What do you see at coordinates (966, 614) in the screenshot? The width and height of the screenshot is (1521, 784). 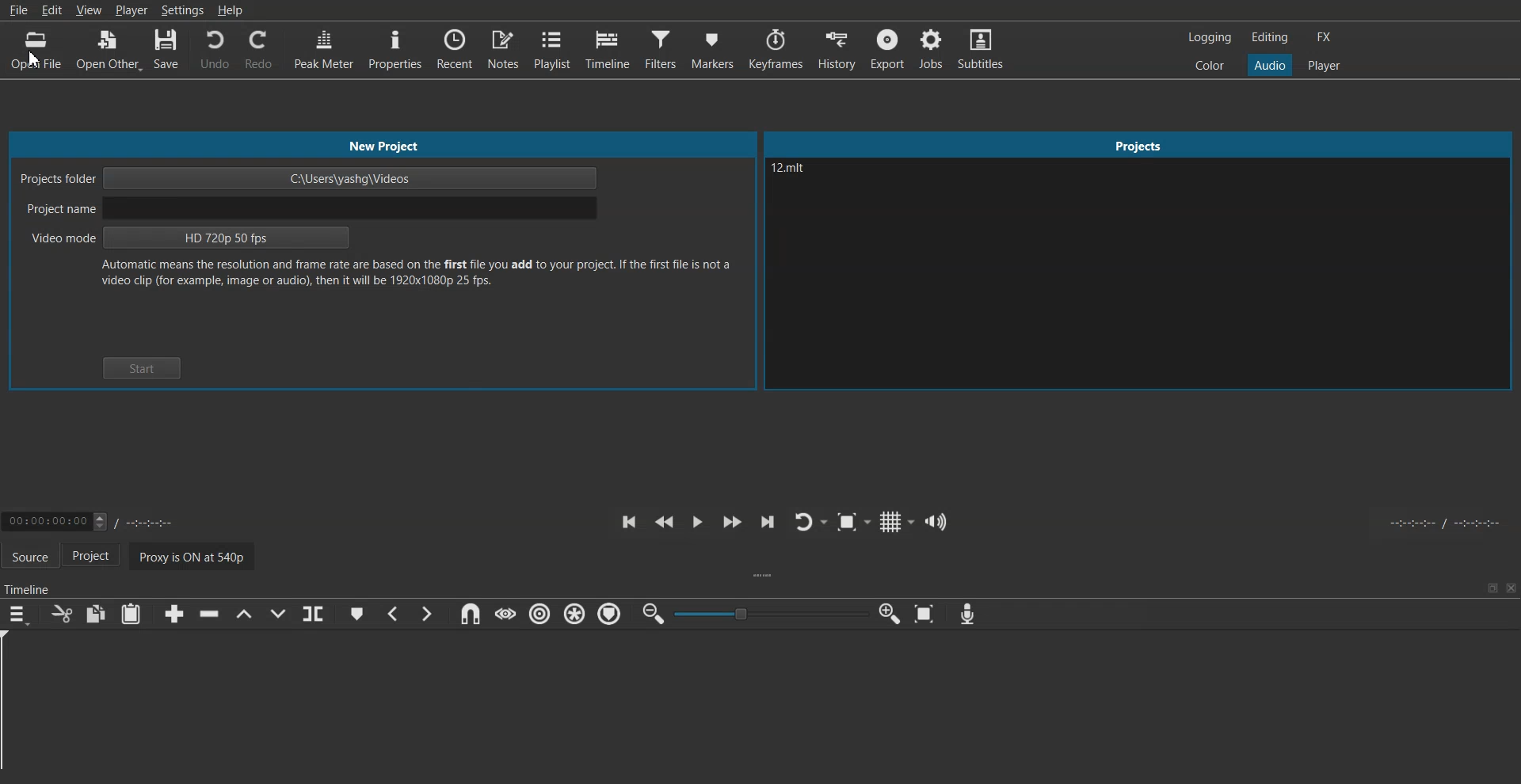 I see `Record audio` at bounding box center [966, 614].